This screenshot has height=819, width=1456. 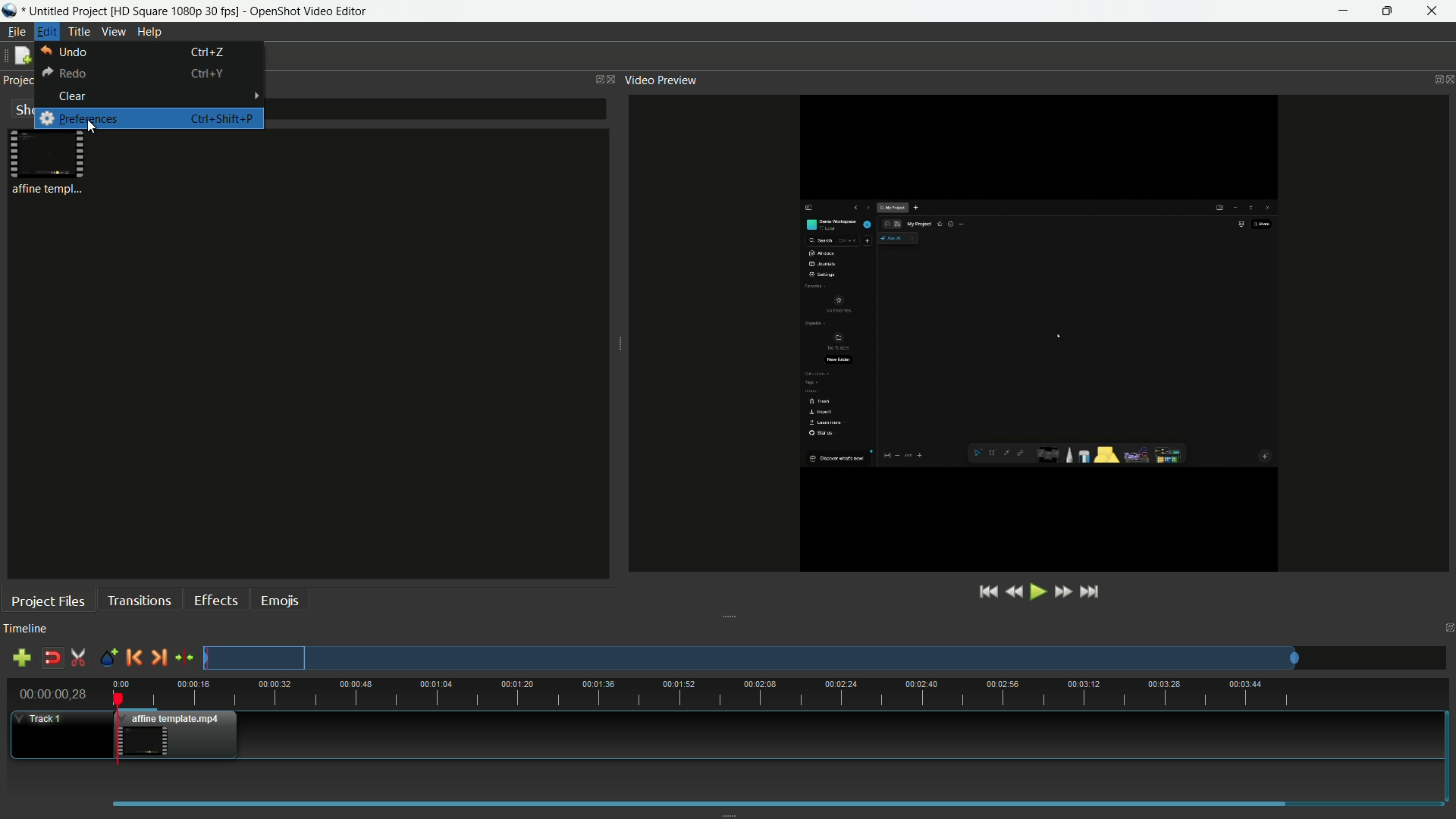 I want to click on project files, so click(x=49, y=601).